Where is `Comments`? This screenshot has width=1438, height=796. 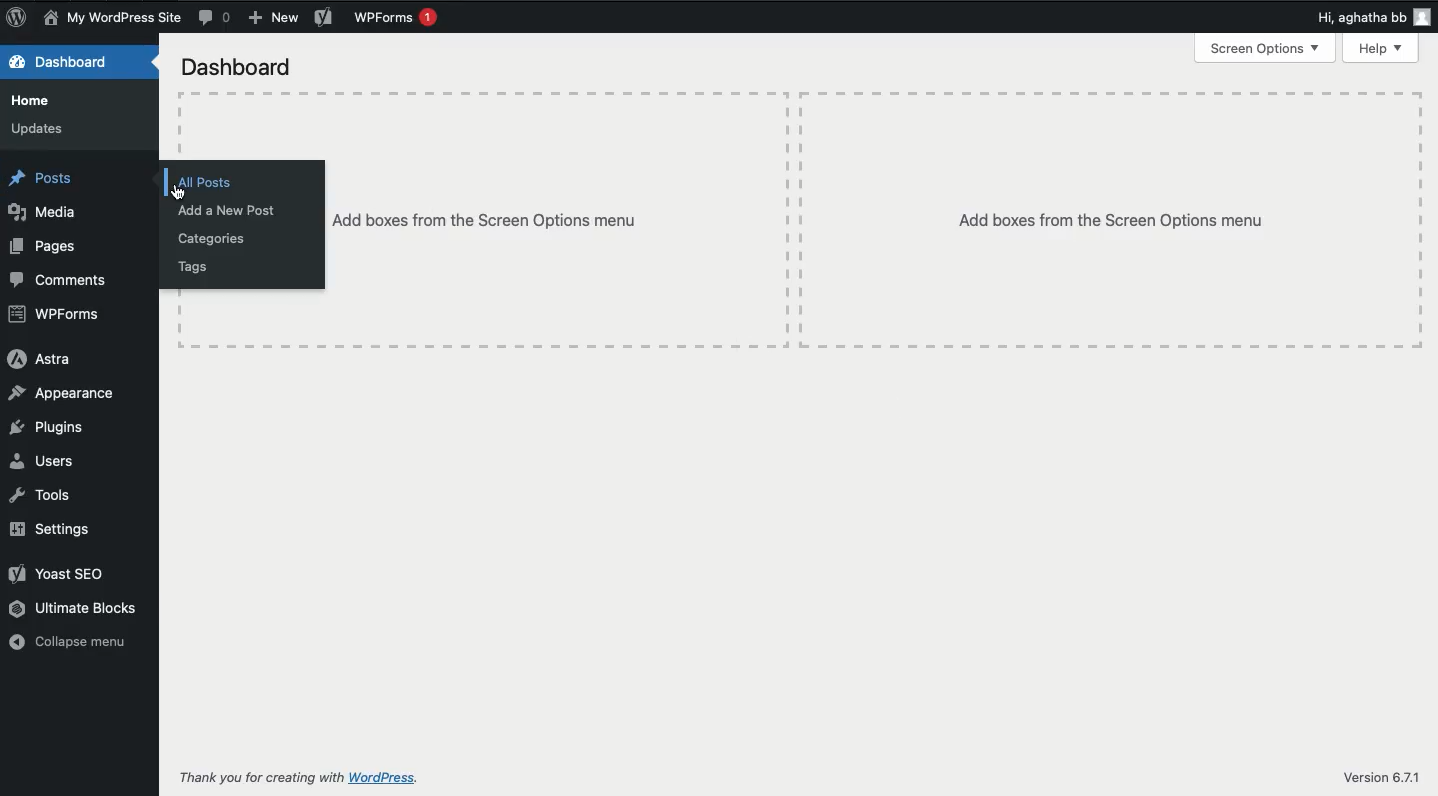 Comments is located at coordinates (63, 283).